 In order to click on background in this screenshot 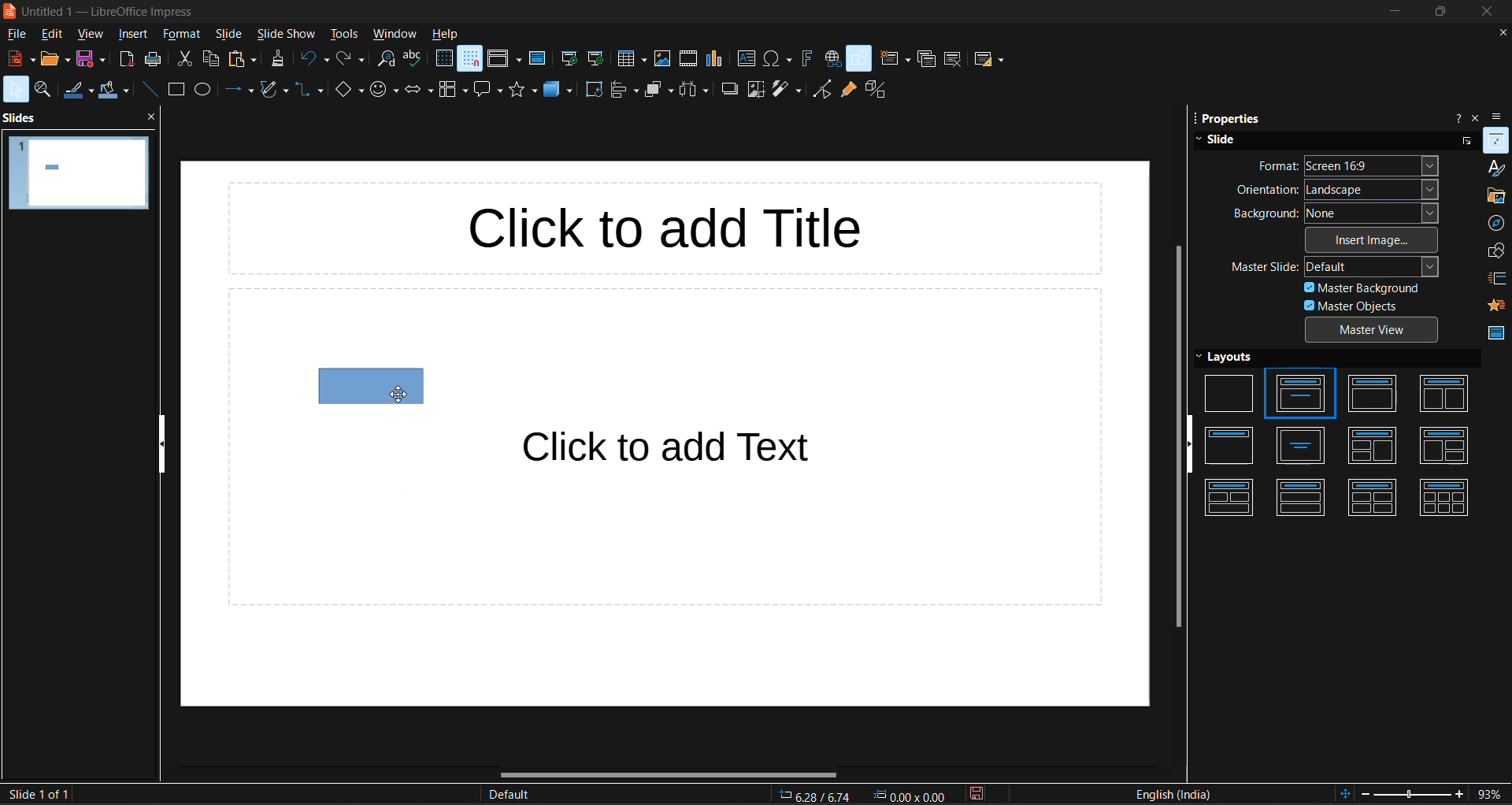, I will do `click(1336, 214)`.